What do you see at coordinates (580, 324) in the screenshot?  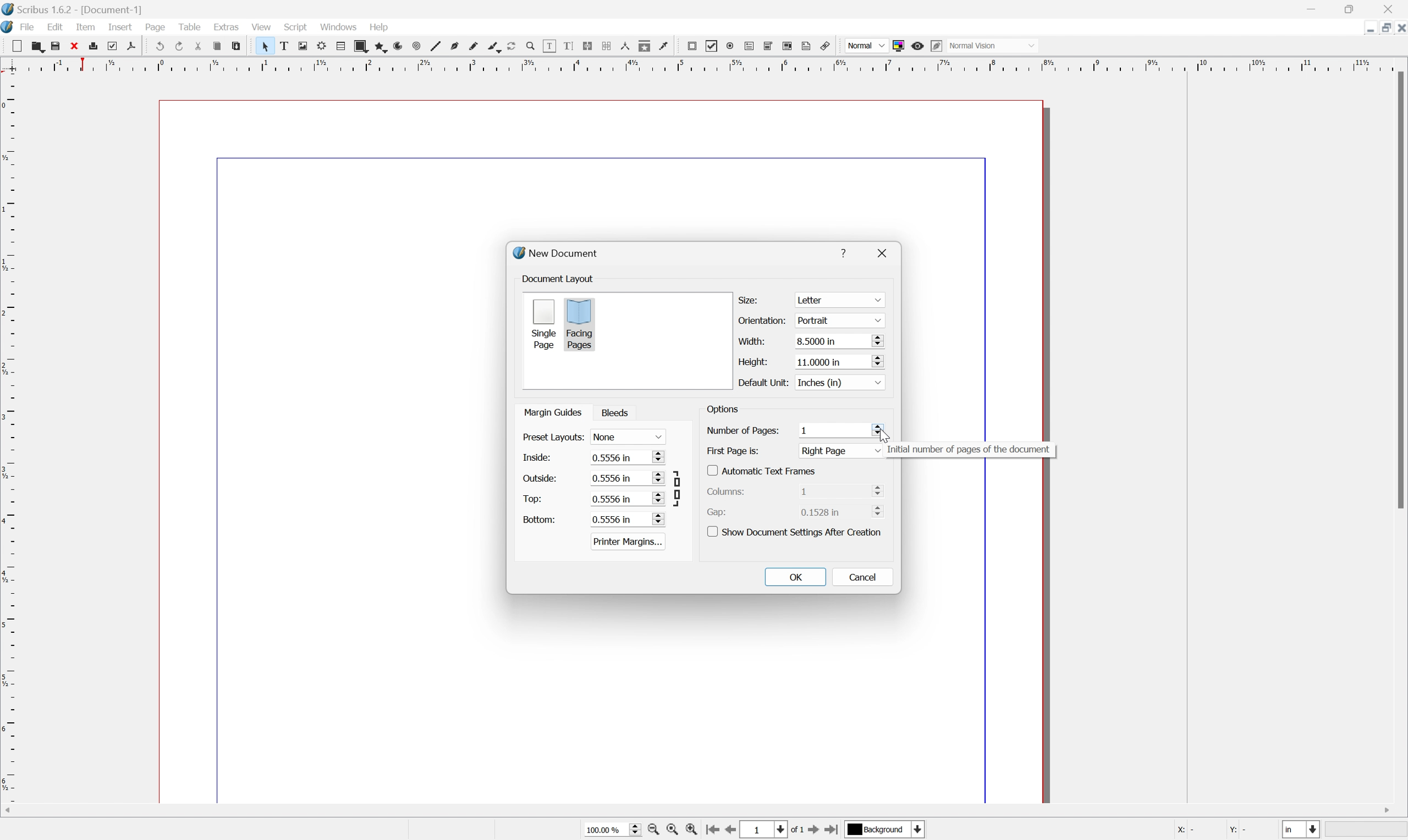 I see `facing pages` at bounding box center [580, 324].